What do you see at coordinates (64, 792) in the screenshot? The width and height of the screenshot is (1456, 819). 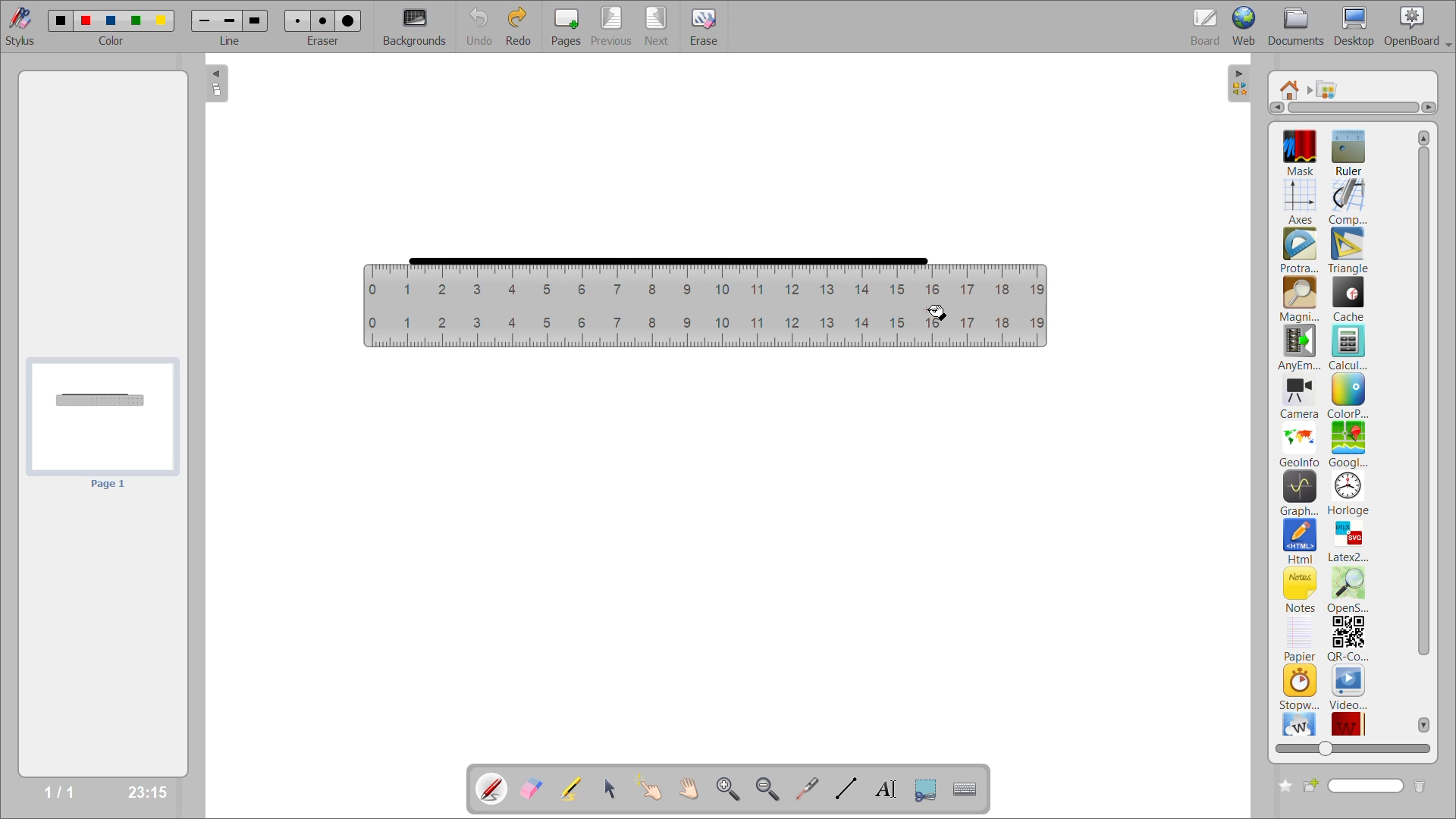 I see `1/1` at bounding box center [64, 792].